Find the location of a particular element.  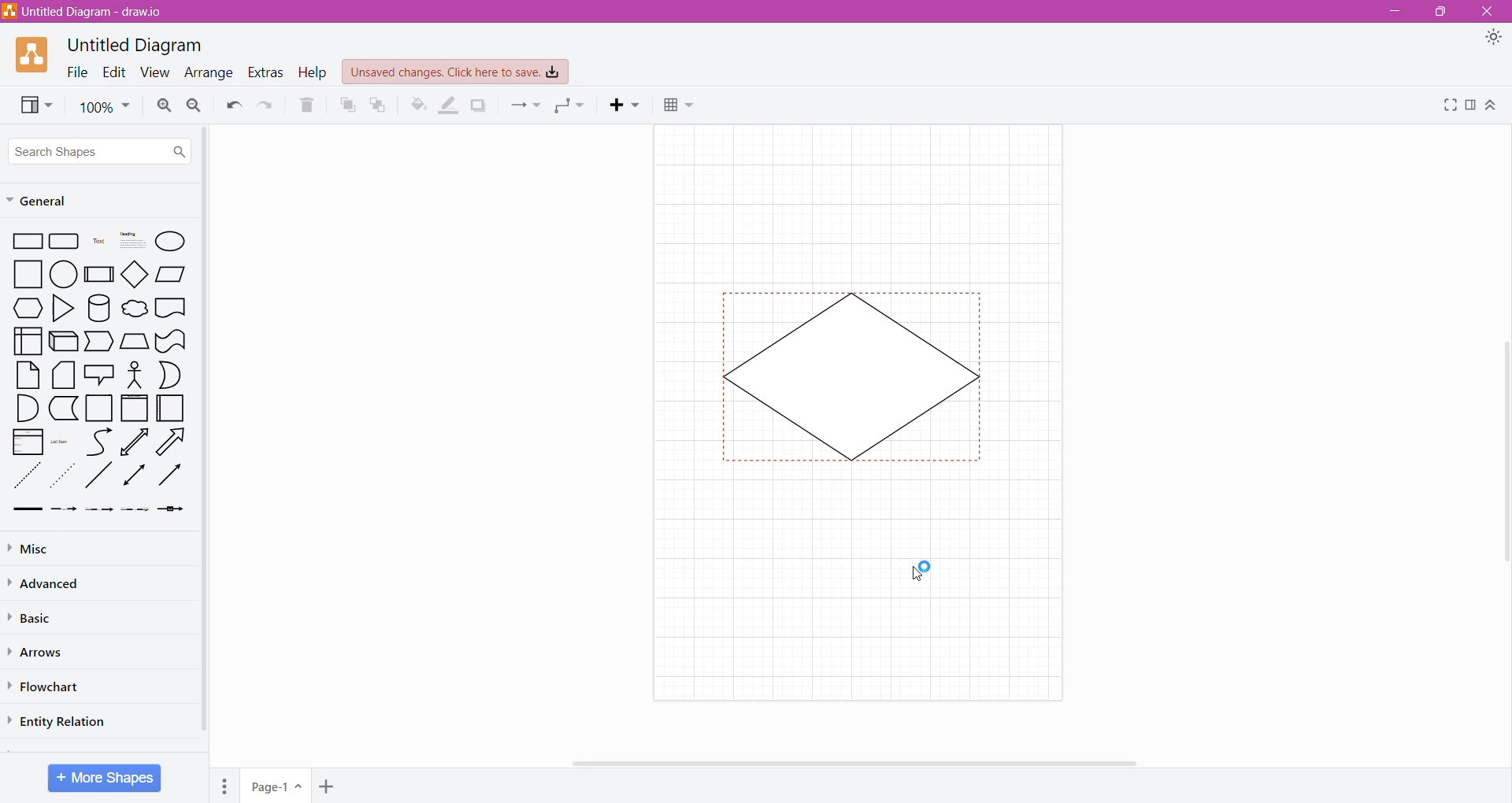

Flowchart is located at coordinates (50, 687).